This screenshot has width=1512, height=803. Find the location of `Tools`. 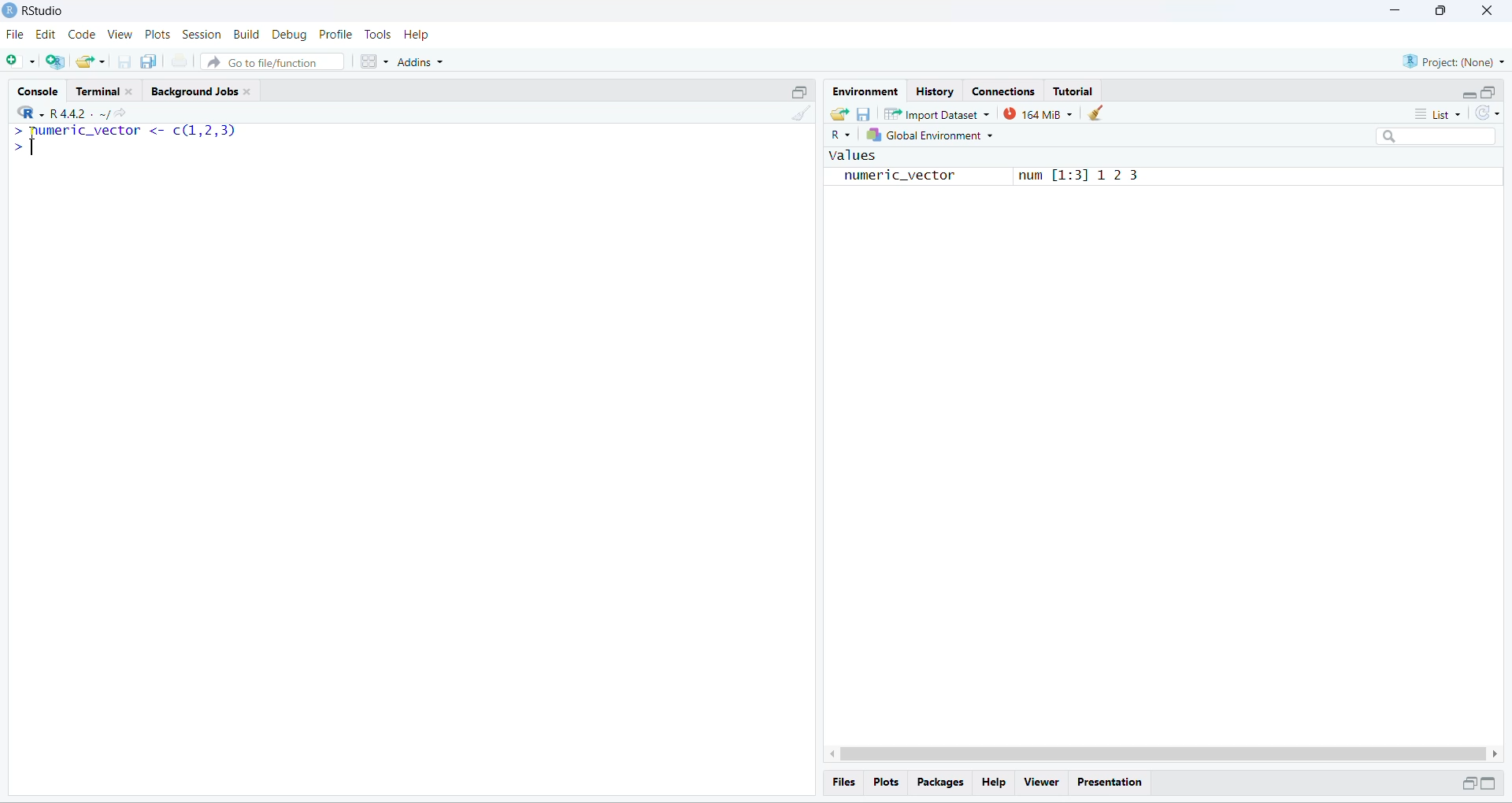

Tools is located at coordinates (376, 35).